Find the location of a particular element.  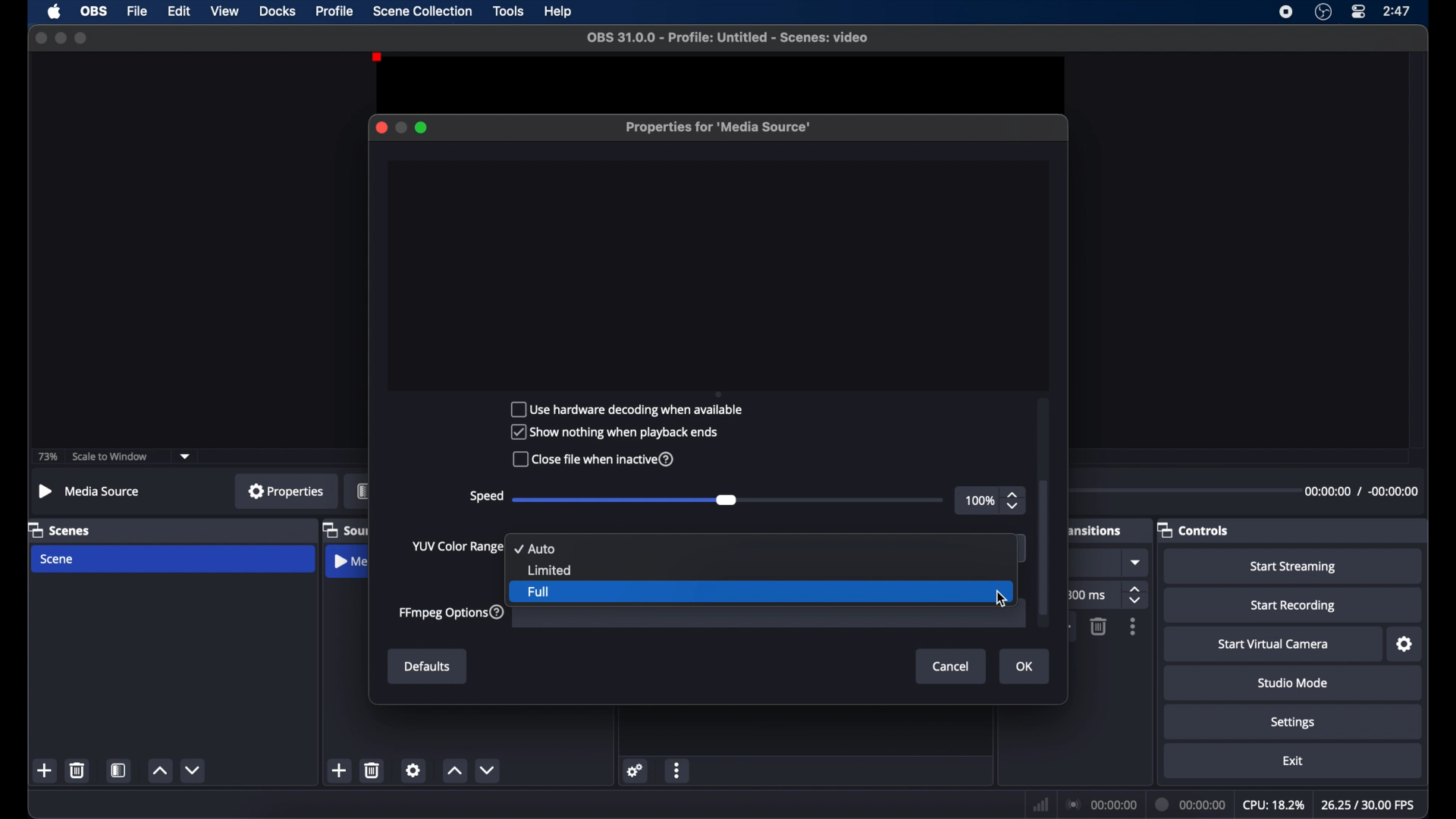

cpu is located at coordinates (1273, 805).